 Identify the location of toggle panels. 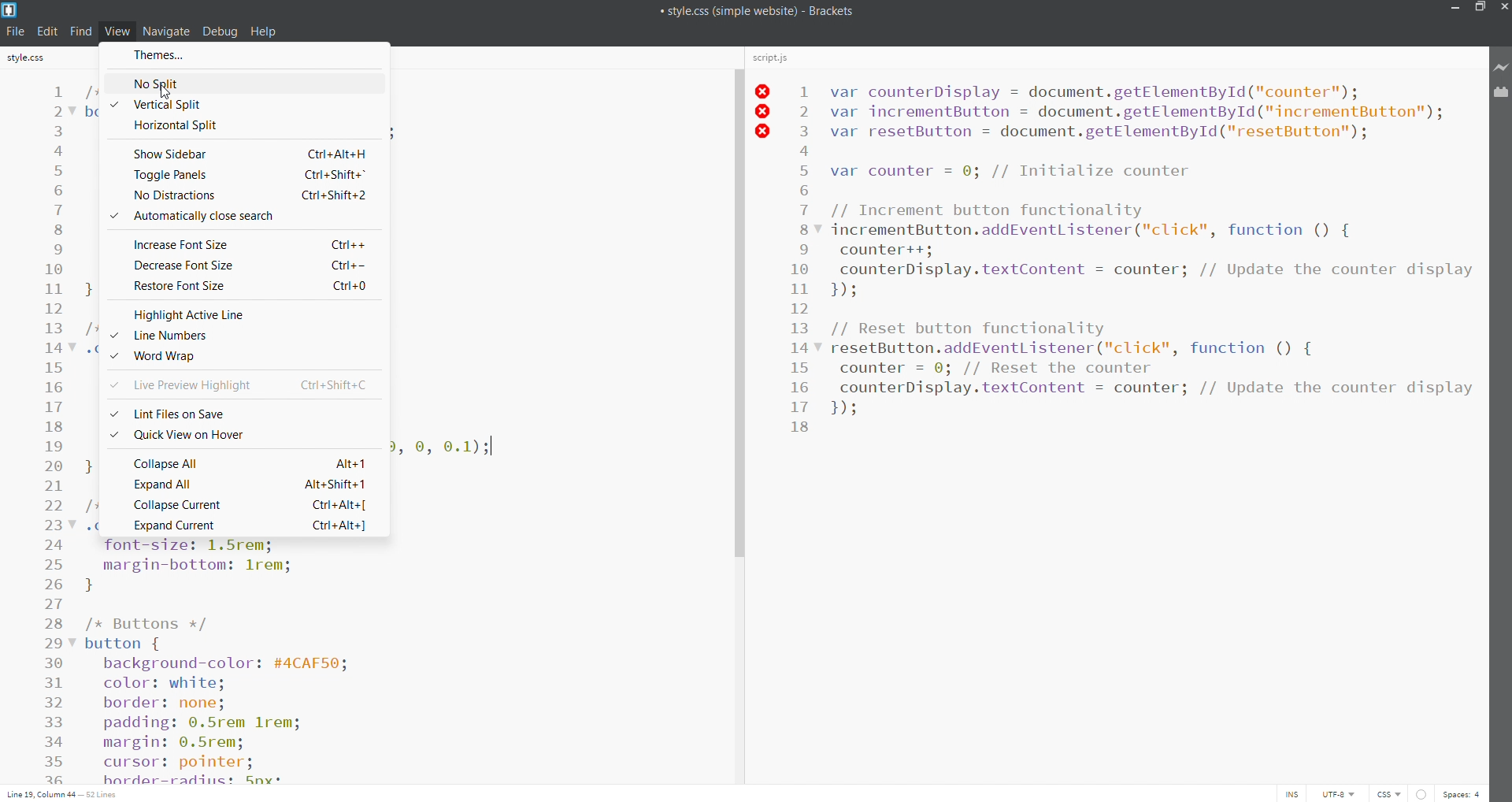
(239, 176).